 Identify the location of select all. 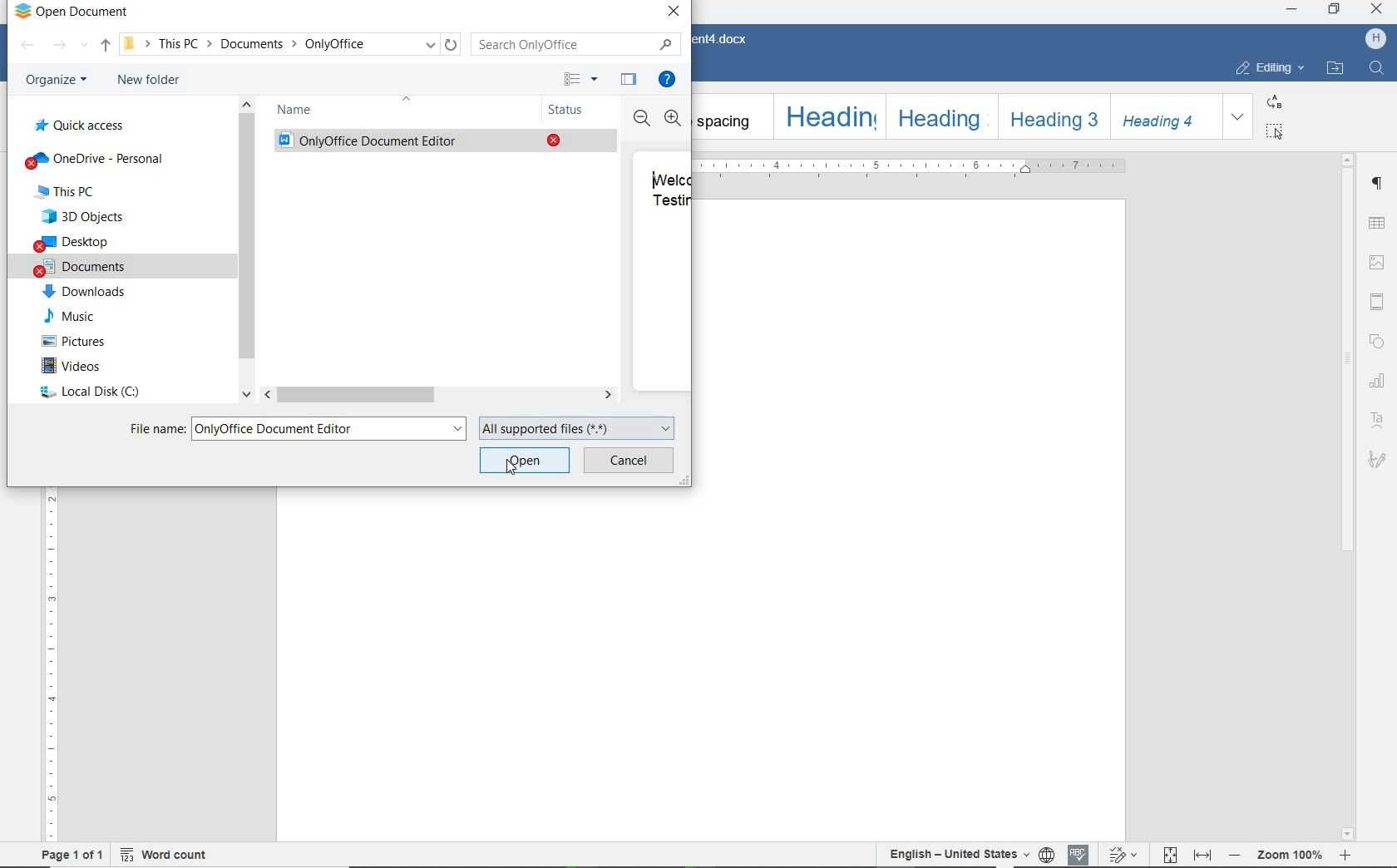
(1275, 131).